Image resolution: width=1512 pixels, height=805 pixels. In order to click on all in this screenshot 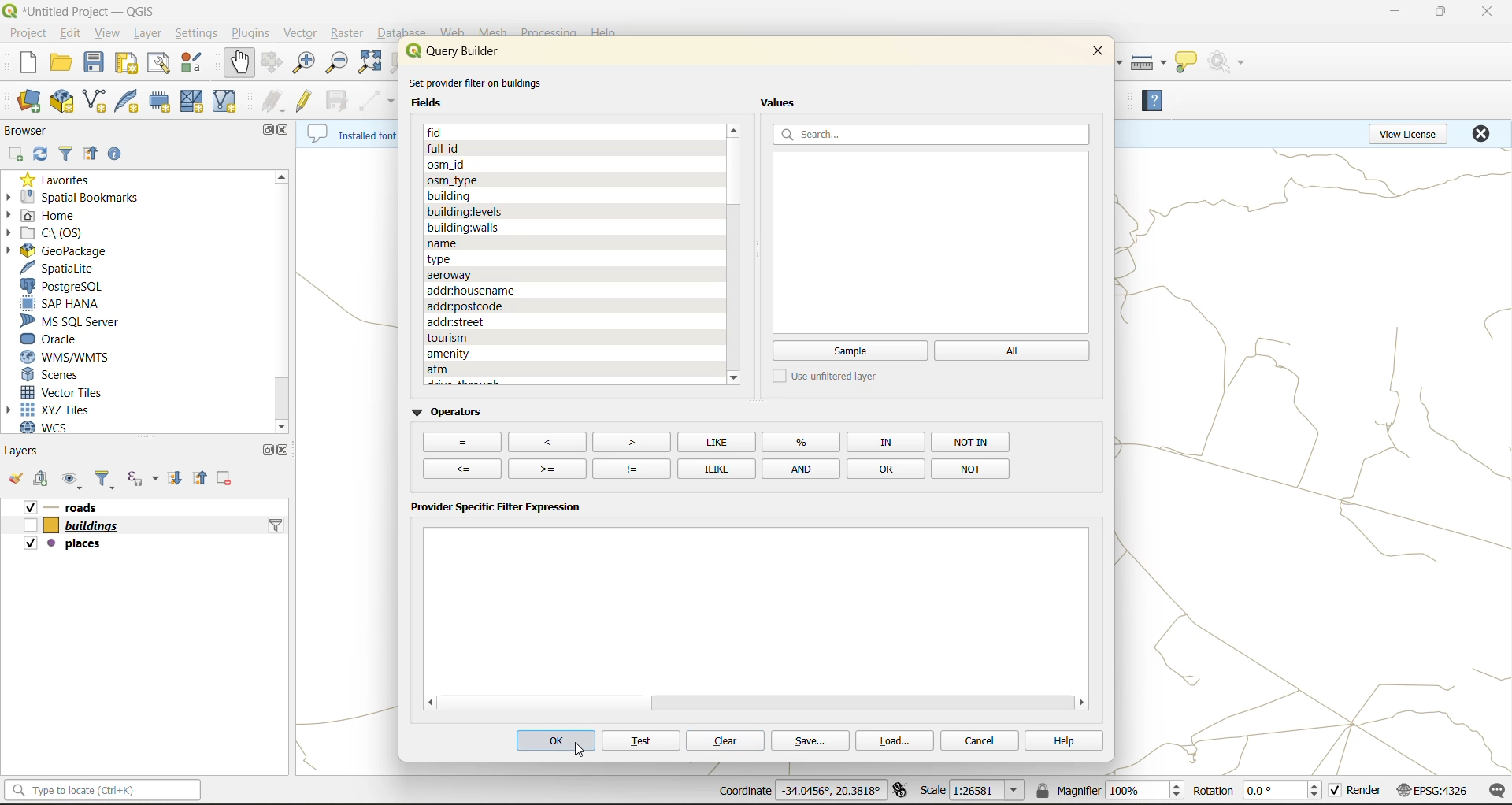, I will do `click(1014, 351)`.